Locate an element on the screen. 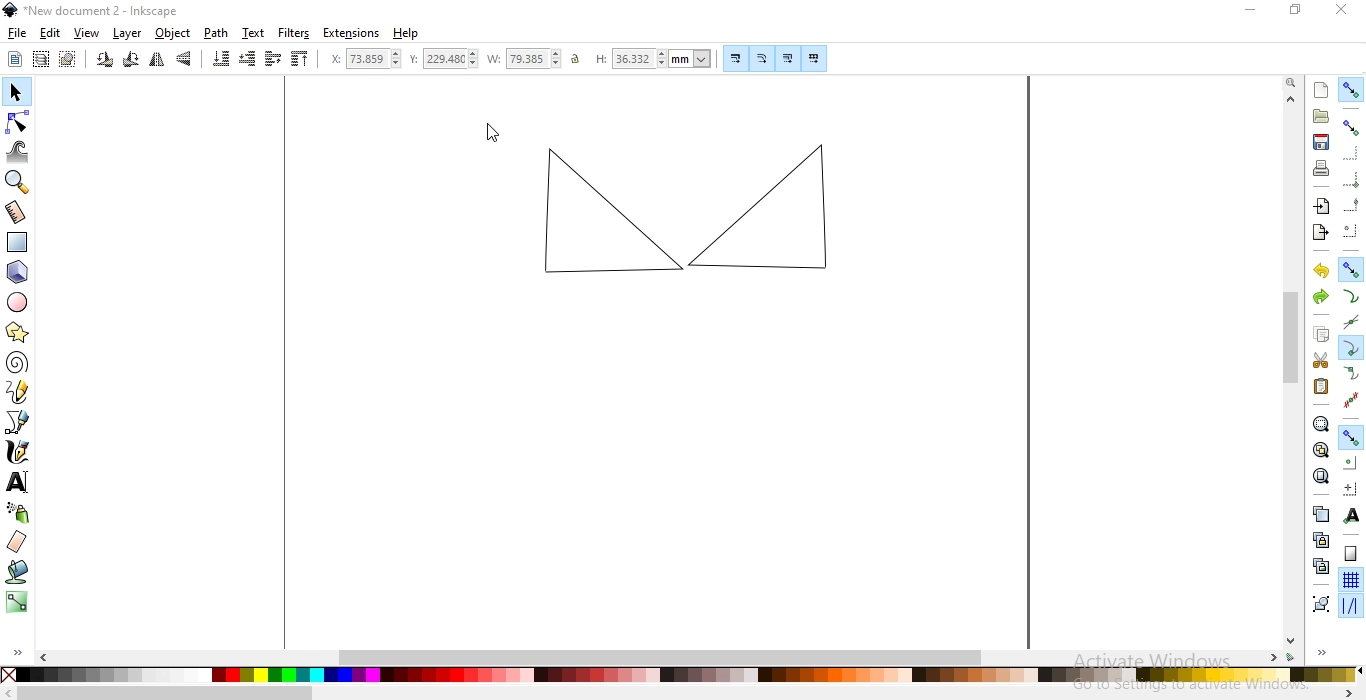 The height and width of the screenshot is (700, 1366). horizontal coordinate of selection is located at coordinates (359, 58).